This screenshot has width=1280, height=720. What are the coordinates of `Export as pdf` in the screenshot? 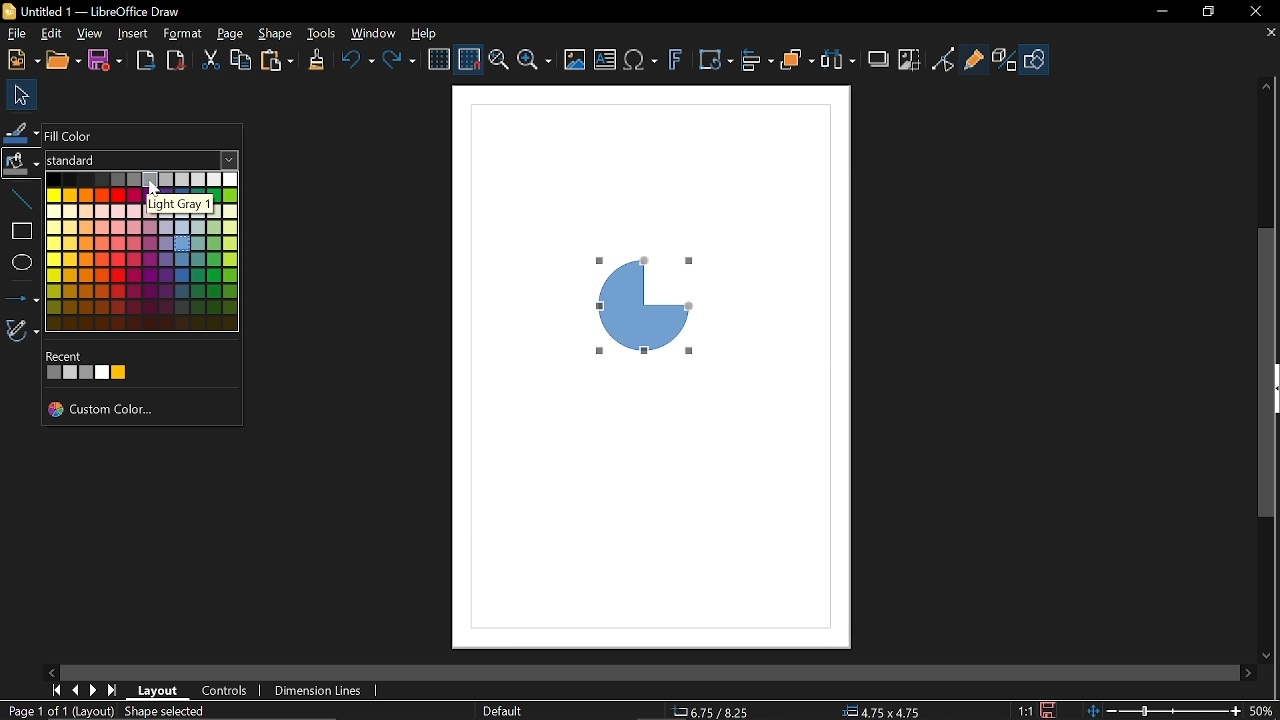 It's located at (175, 58).